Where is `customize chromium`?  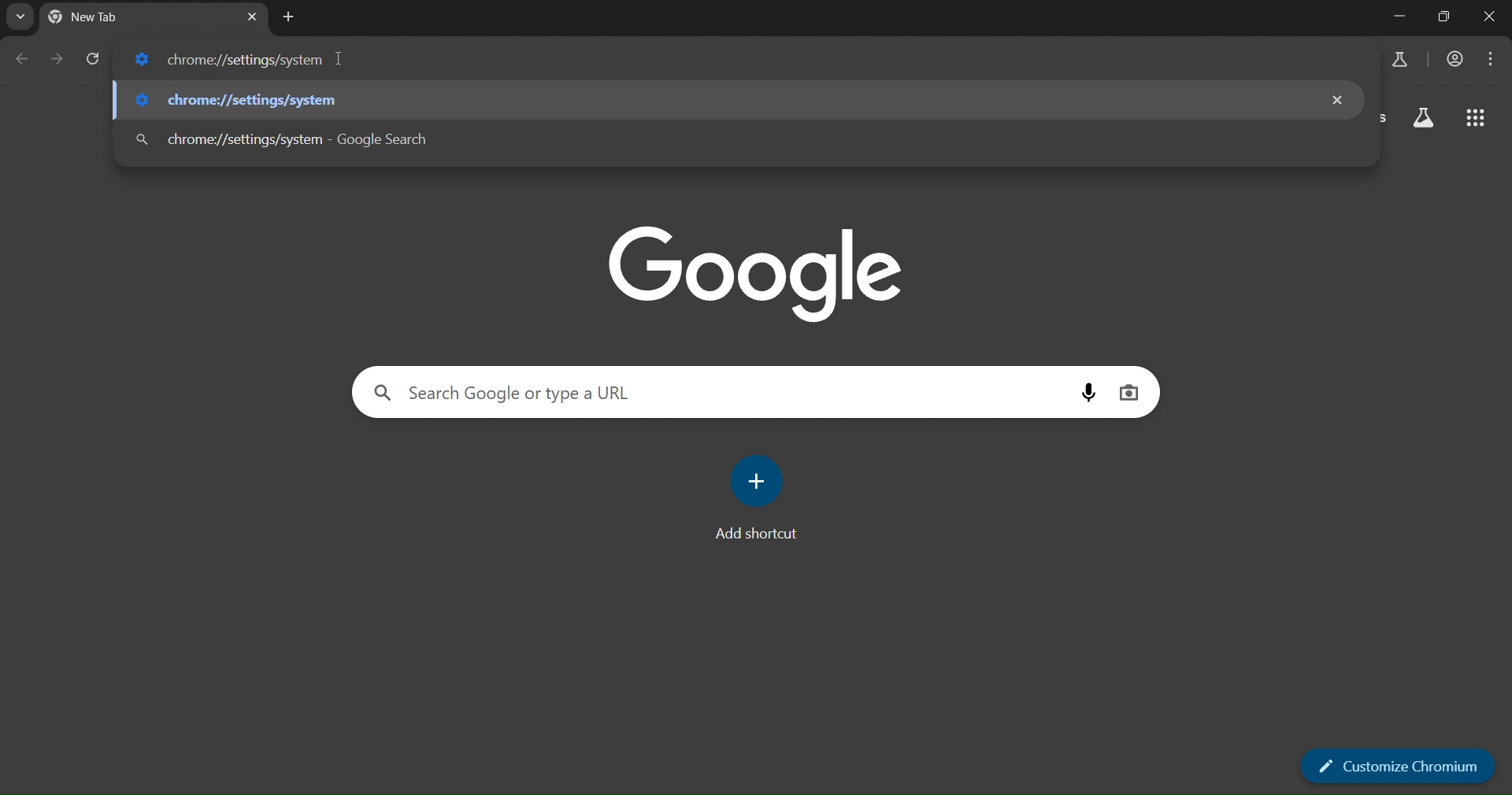
customize chromium is located at coordinates (1398, 765).